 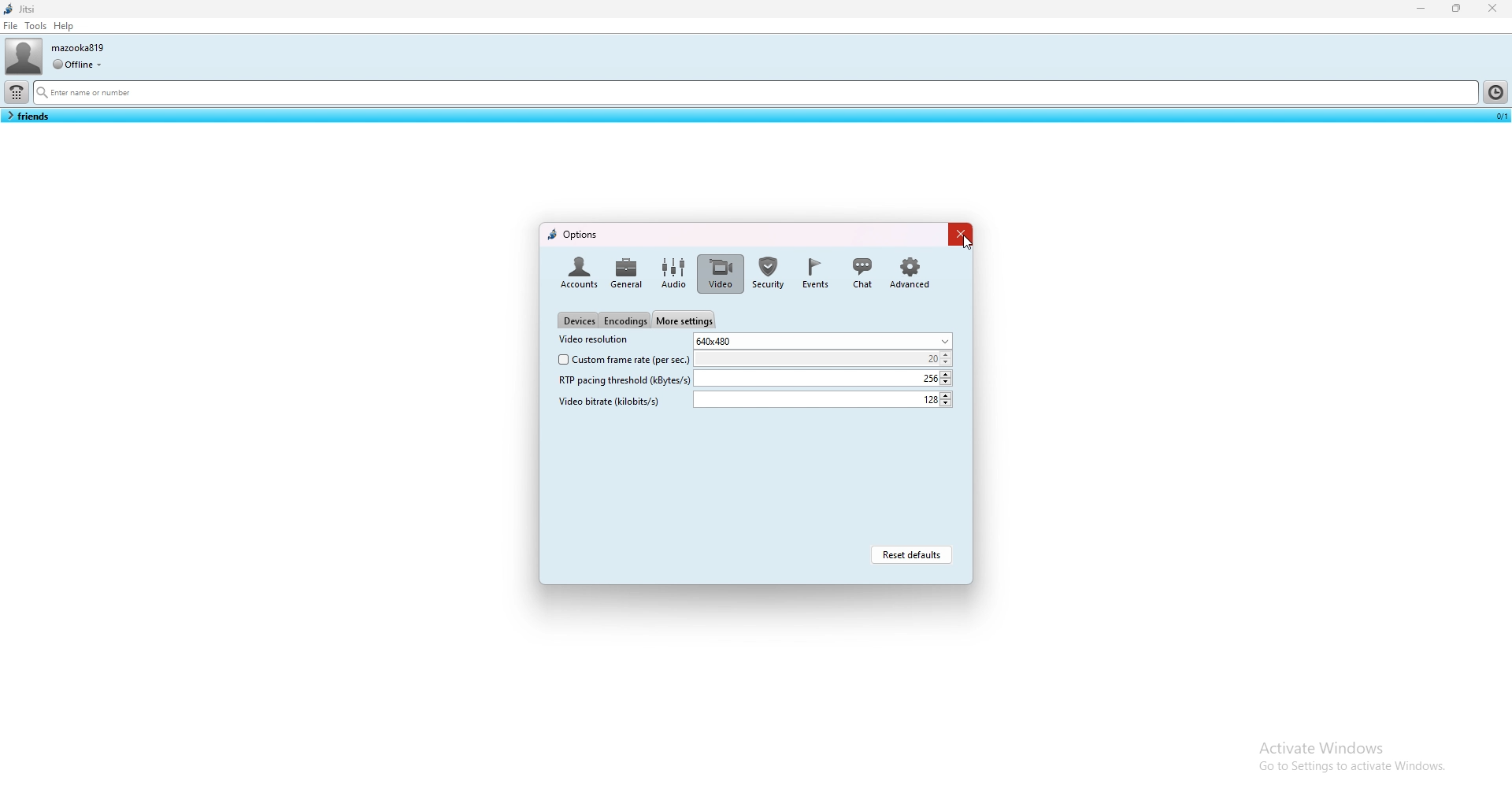 I want to click on minimize, so click(x=1422, y=8).